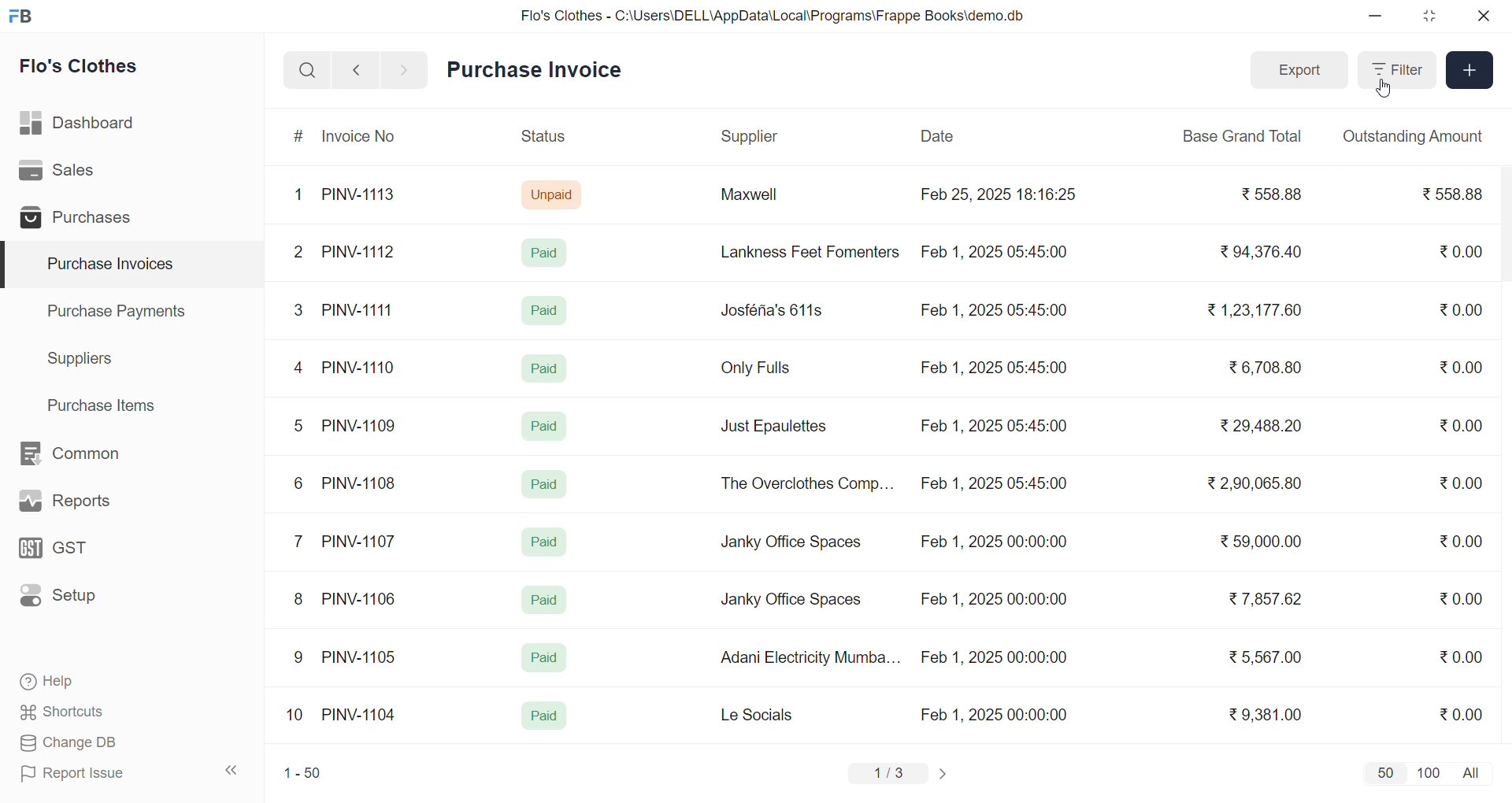  Describe the element at coordinates (98, 683) in the screenshot. I see `Help` at that location.